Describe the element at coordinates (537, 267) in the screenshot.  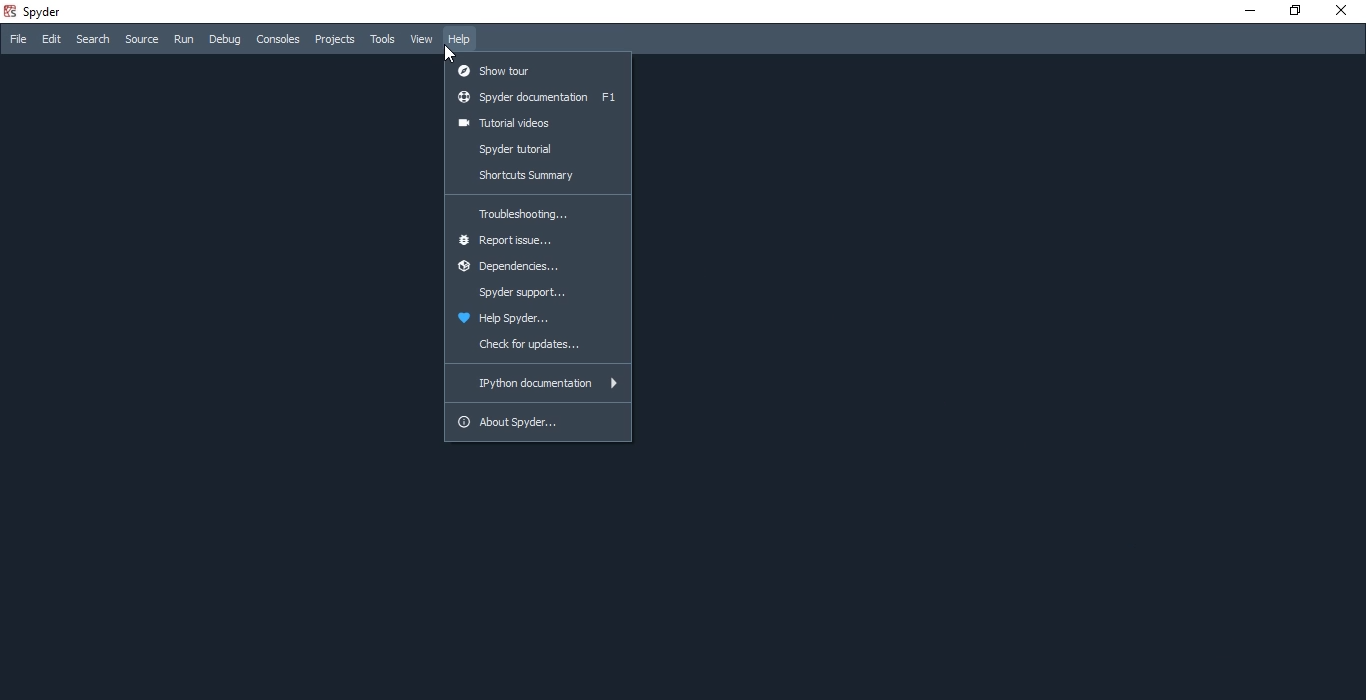
I see `dependencies` at that location.